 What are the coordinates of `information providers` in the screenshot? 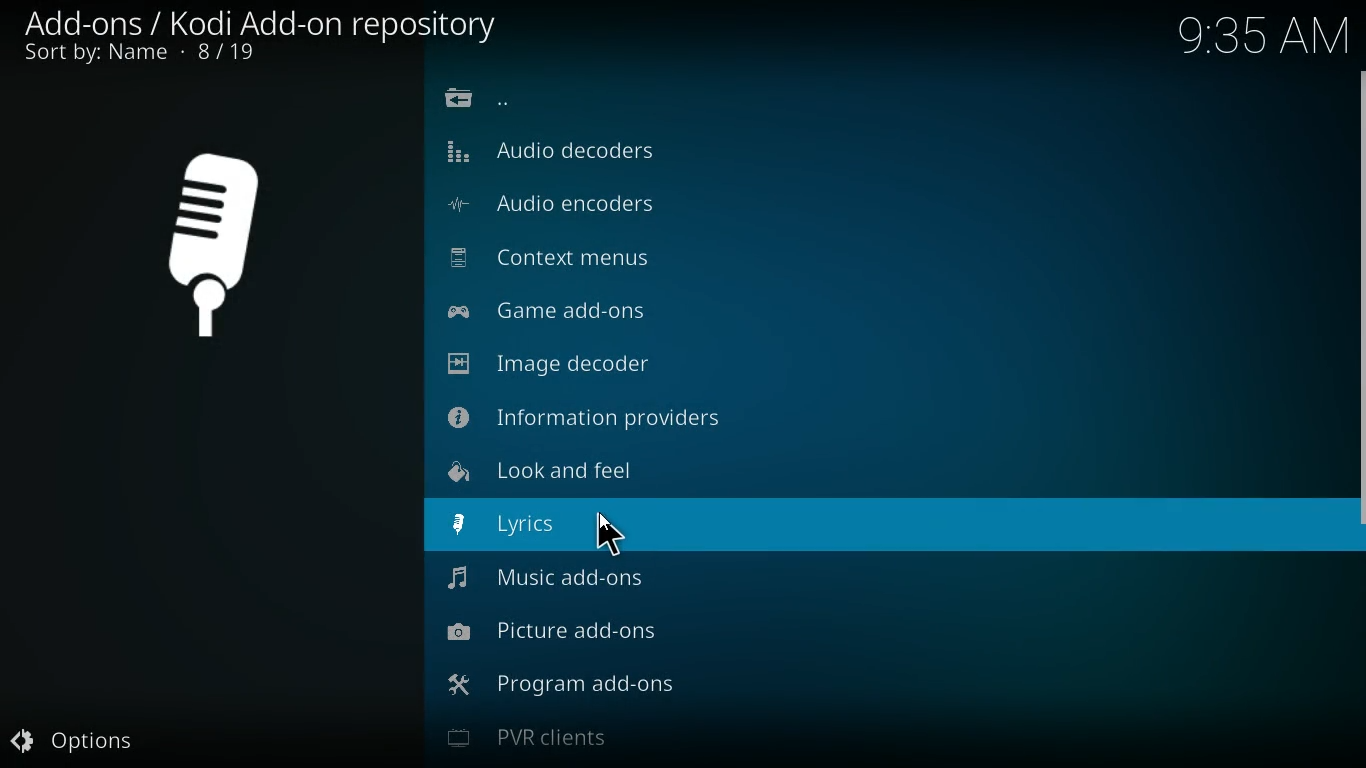 It's located at (604, 417).